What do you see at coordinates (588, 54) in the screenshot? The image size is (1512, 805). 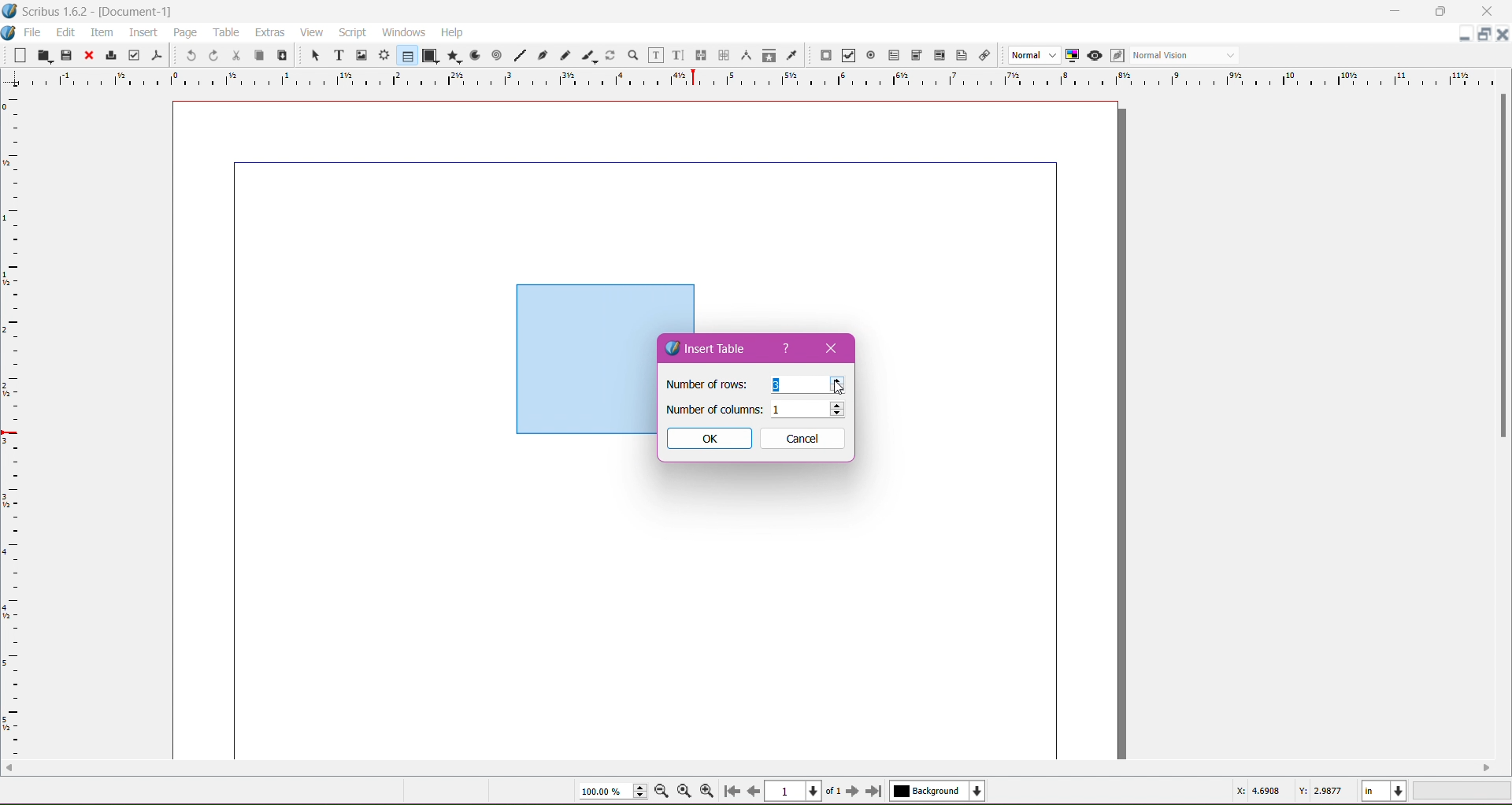 I see `Calligraphic Line` at bounding box center [588, 54].